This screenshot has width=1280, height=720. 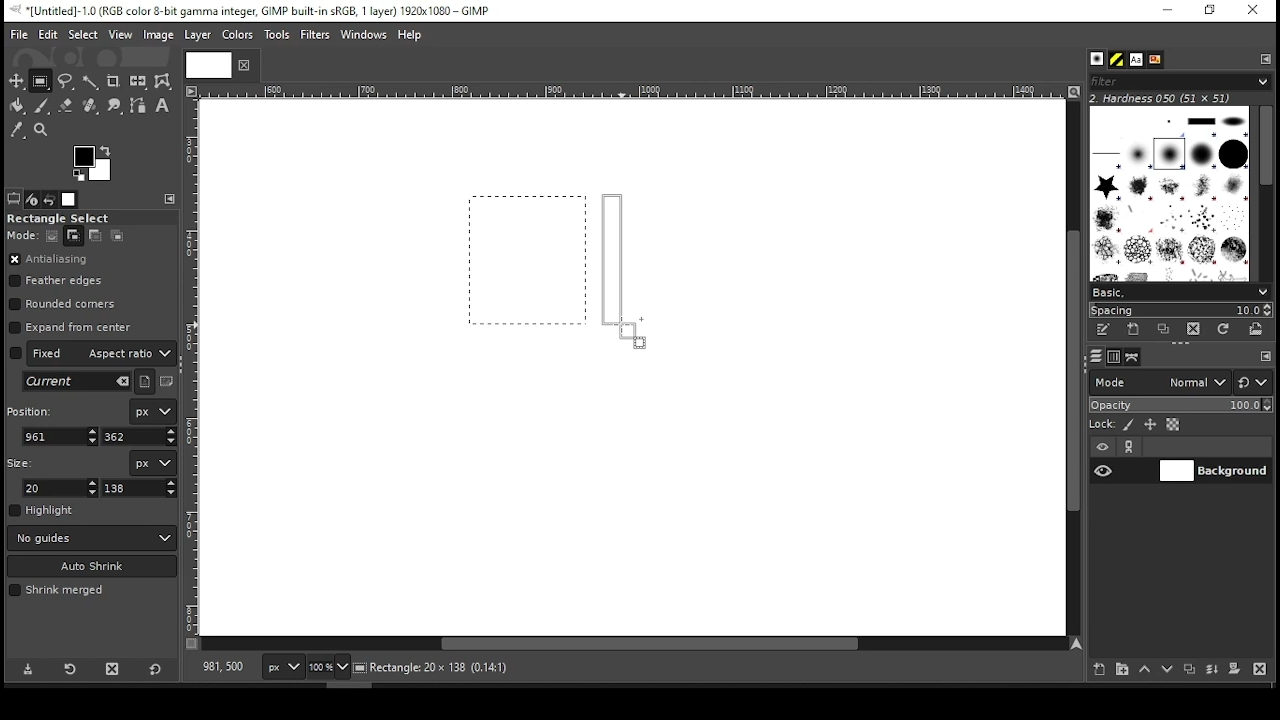 I want to click on move layer one step down, so click(x=1168, y=671).